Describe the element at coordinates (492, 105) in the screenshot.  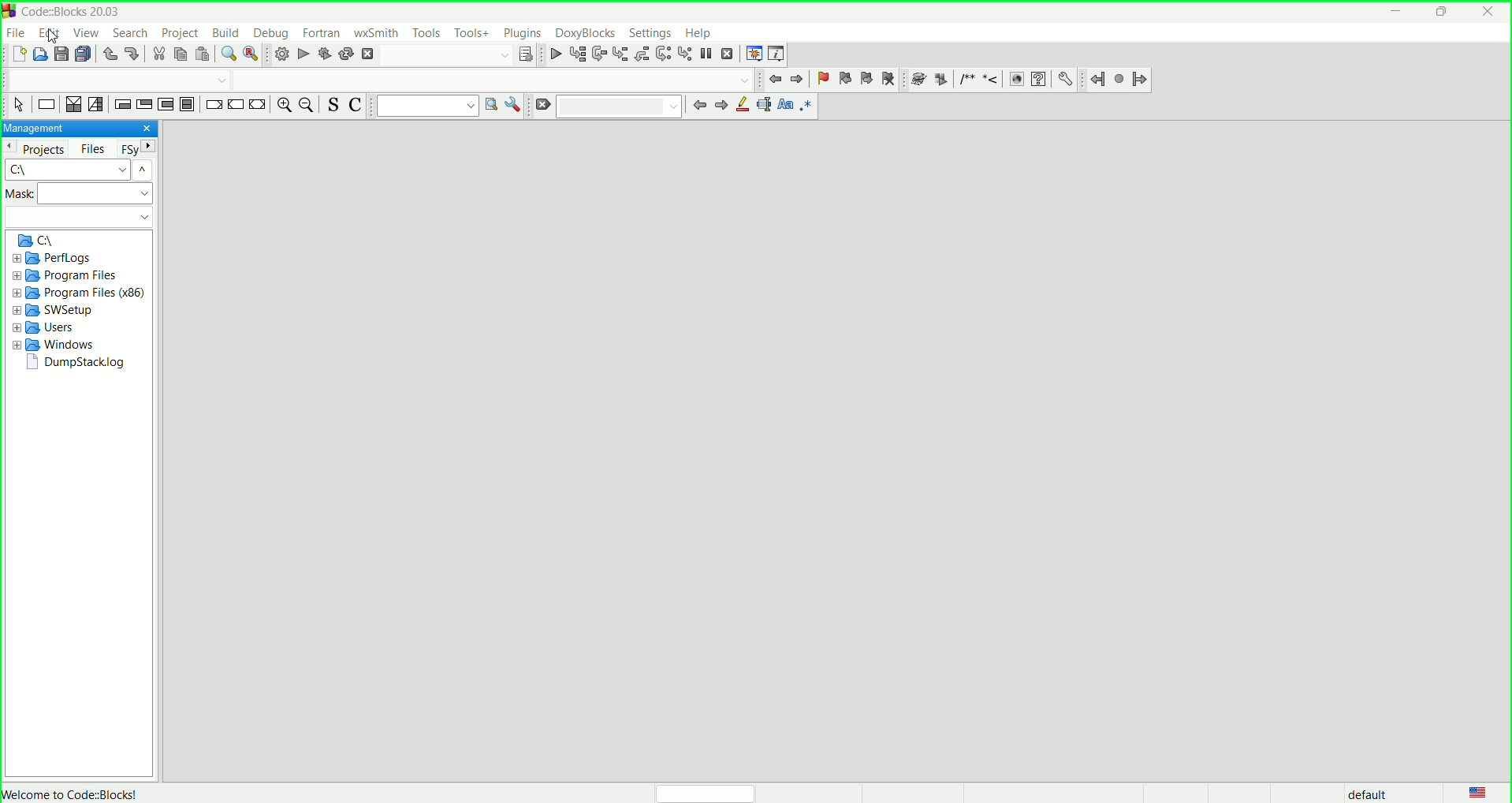
I see `run search` at that location.